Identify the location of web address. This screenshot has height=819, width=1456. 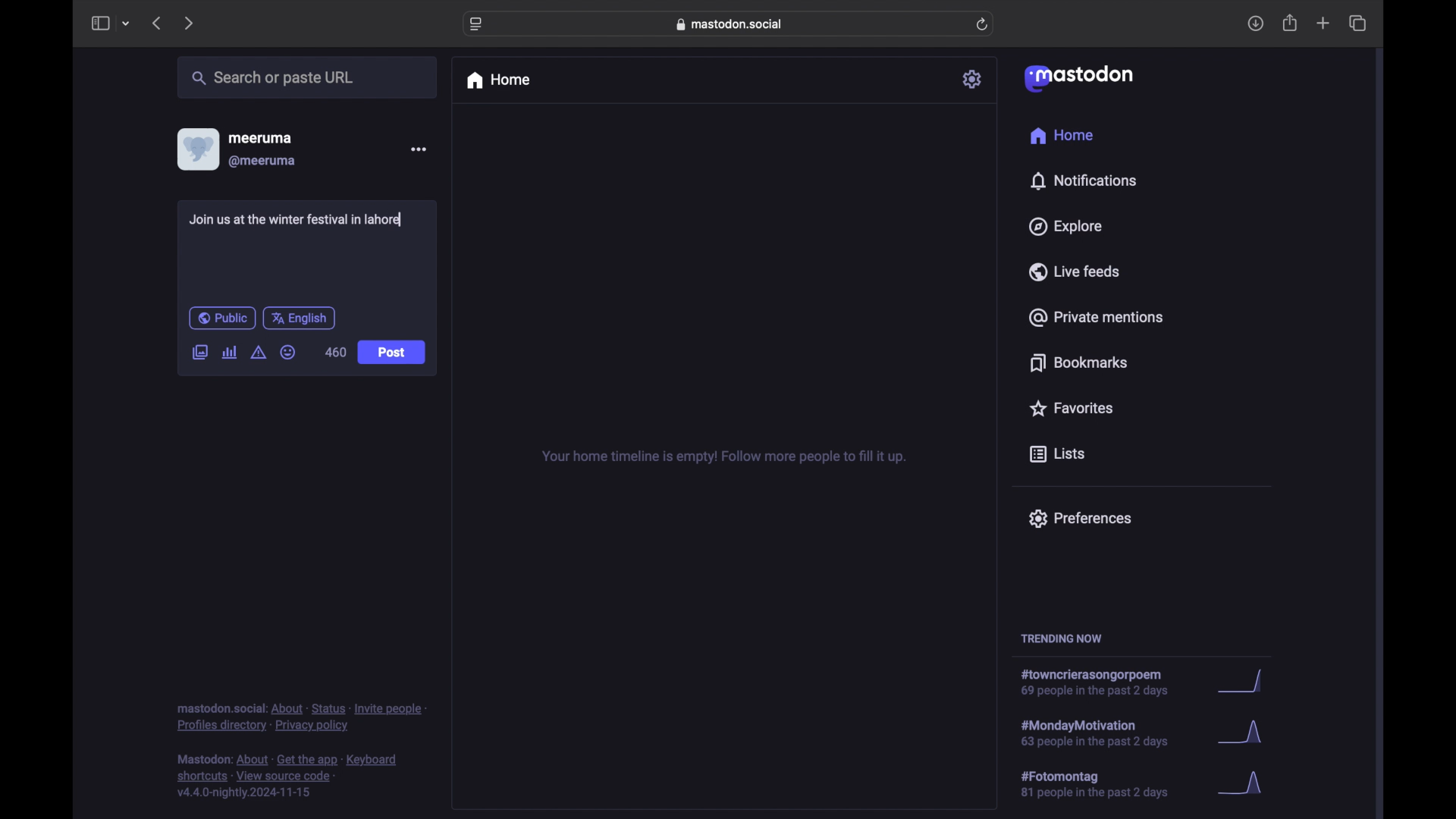
(733, 24).